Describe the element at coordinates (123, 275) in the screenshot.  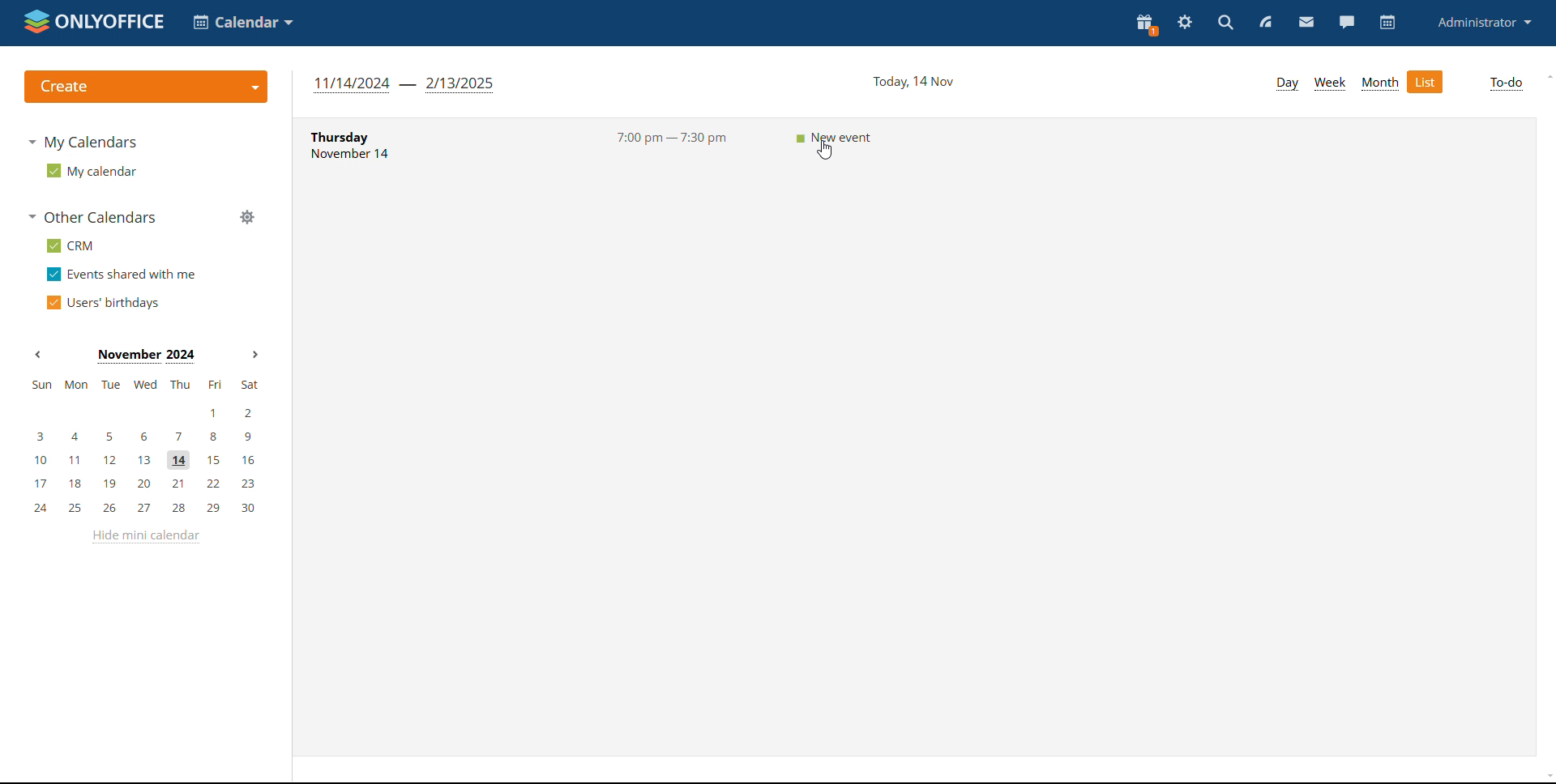
I see `events shared with me` at that location.